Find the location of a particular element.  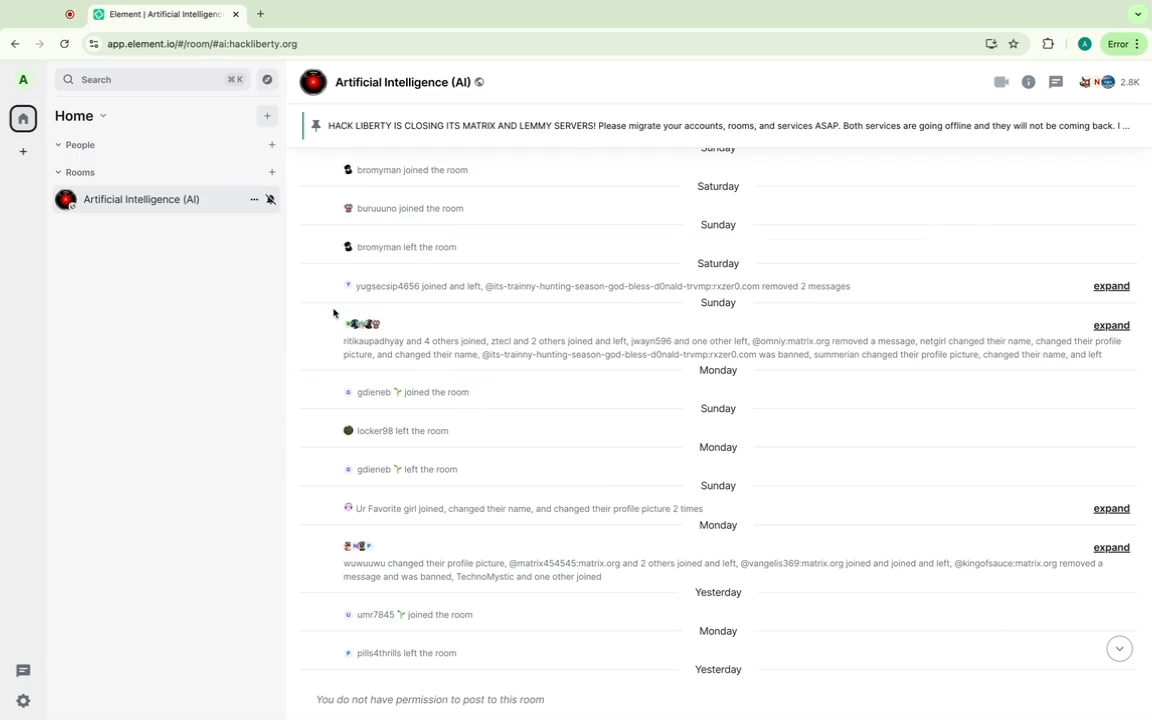

Add room is located at coordinates (275, 173).